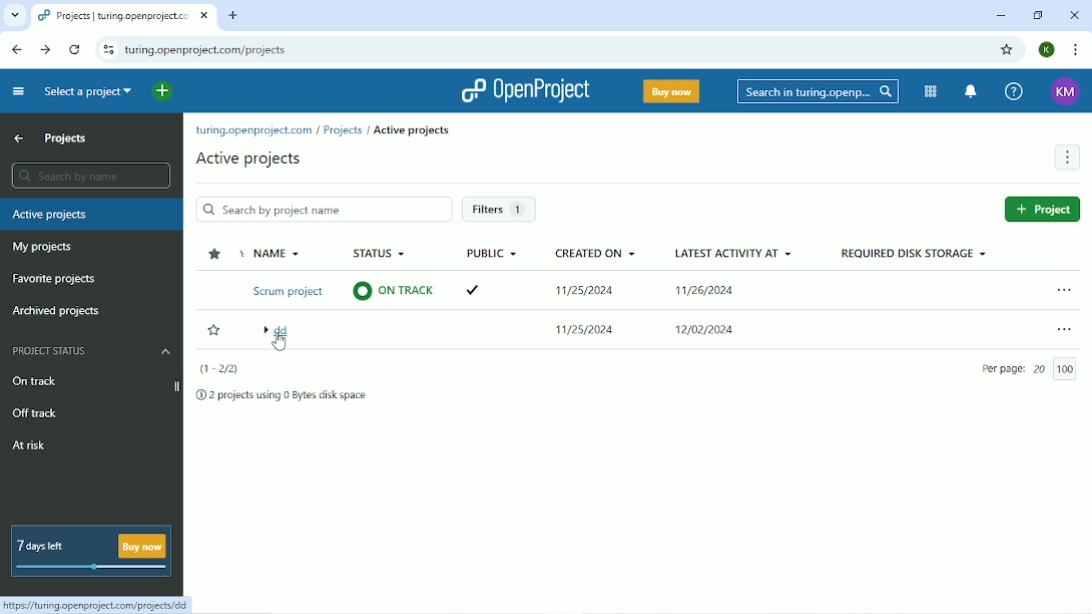 This screenshot has height=614, width=1092. What do you see at coordinates (91, 215) in the screenshot?
I see `Active projects` at bounding box center [91, 215].